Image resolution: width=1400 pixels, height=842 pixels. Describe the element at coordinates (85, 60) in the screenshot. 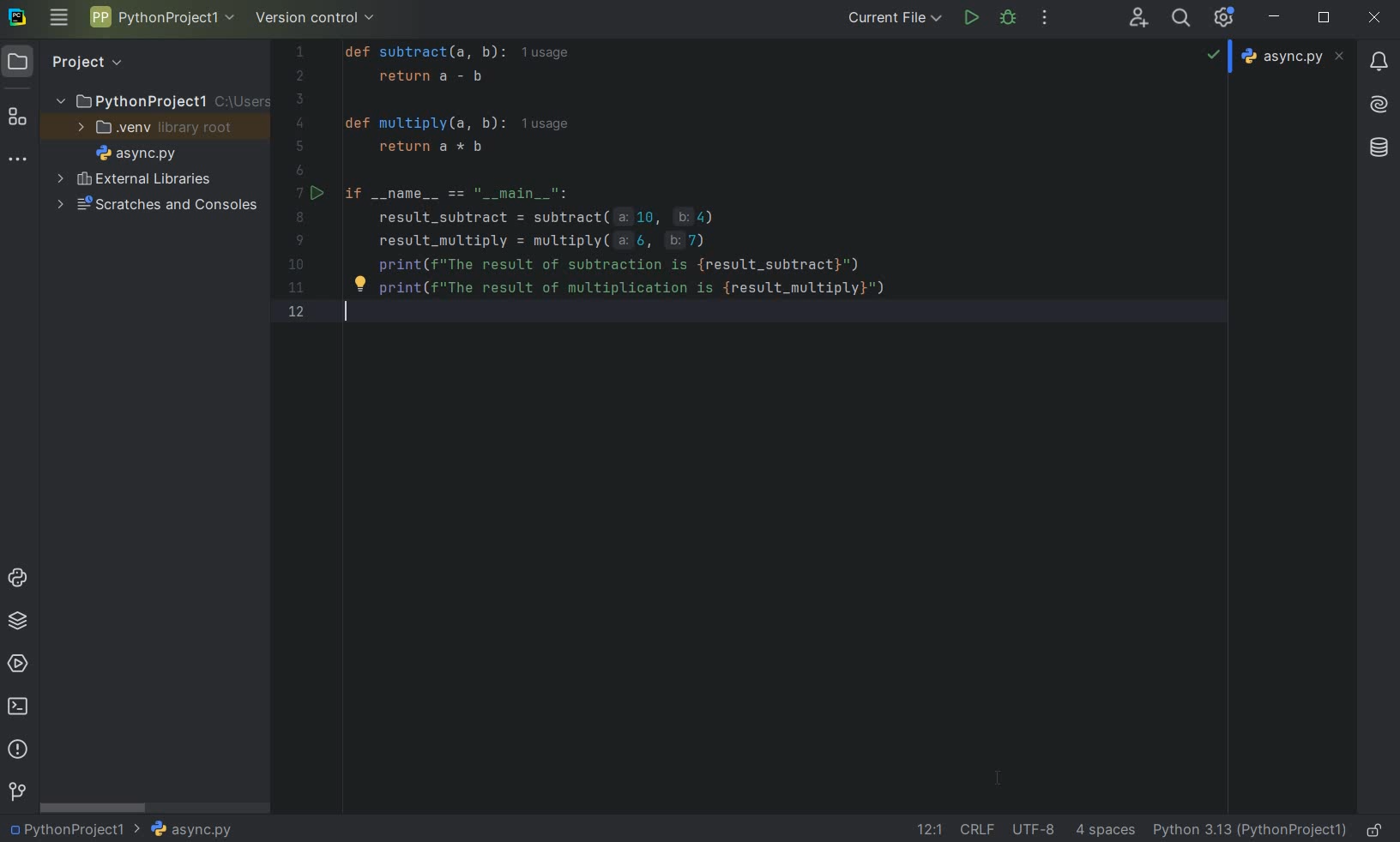

I see `Project` at that location.